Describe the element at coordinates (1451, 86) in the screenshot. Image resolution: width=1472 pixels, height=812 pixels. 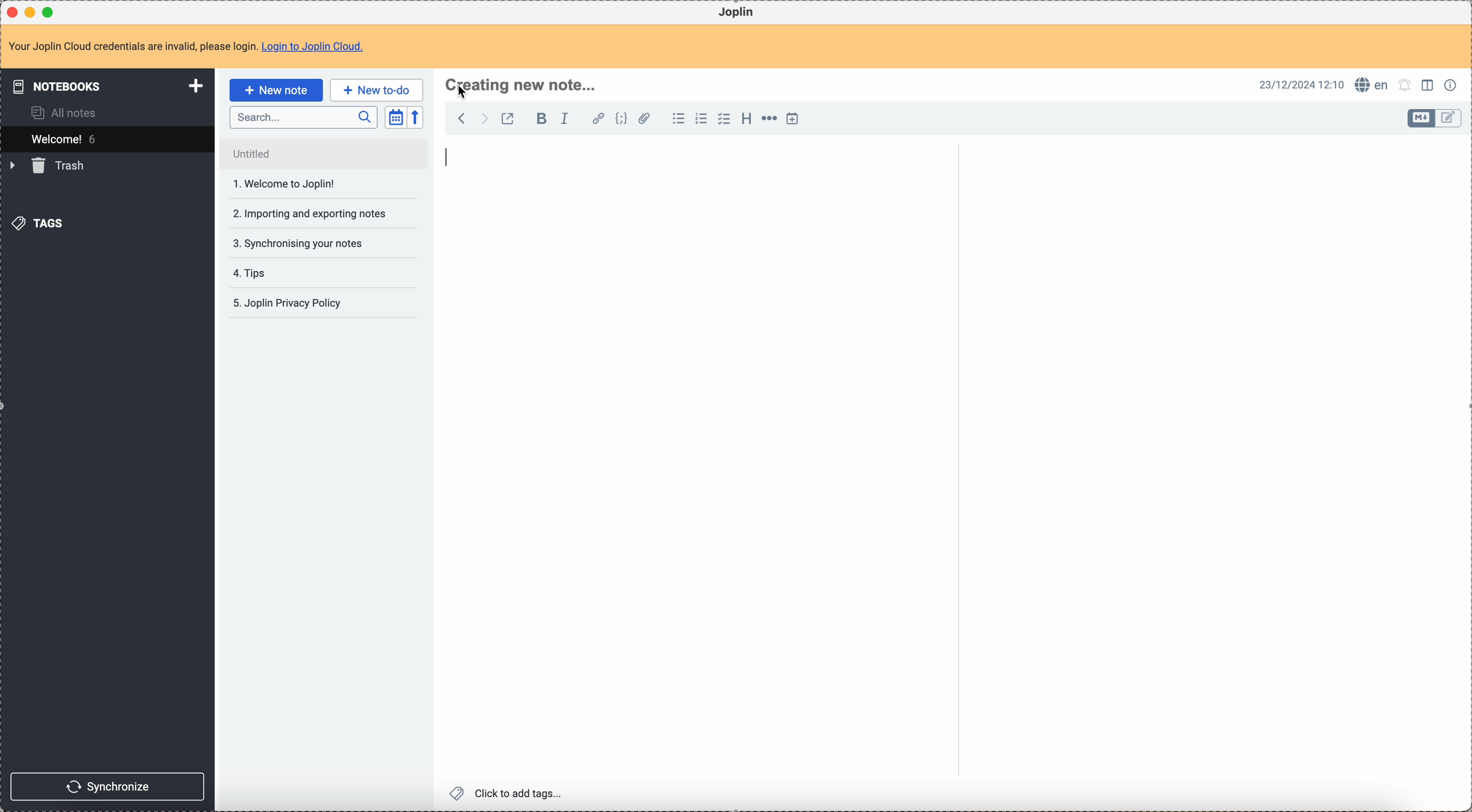
I see `note properties` at that location.